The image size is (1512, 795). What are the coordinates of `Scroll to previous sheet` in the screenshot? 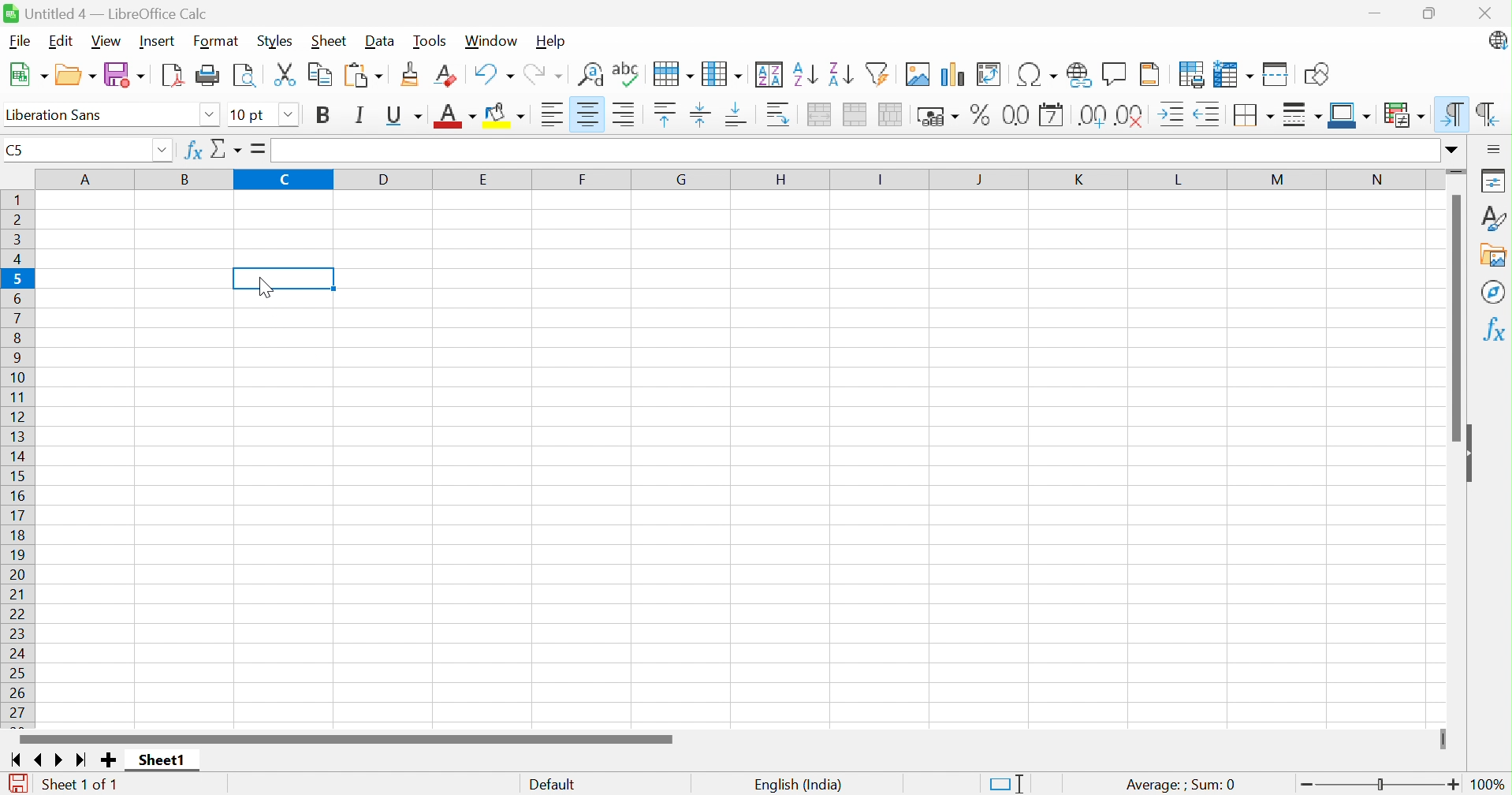 It's located at (40, 762).